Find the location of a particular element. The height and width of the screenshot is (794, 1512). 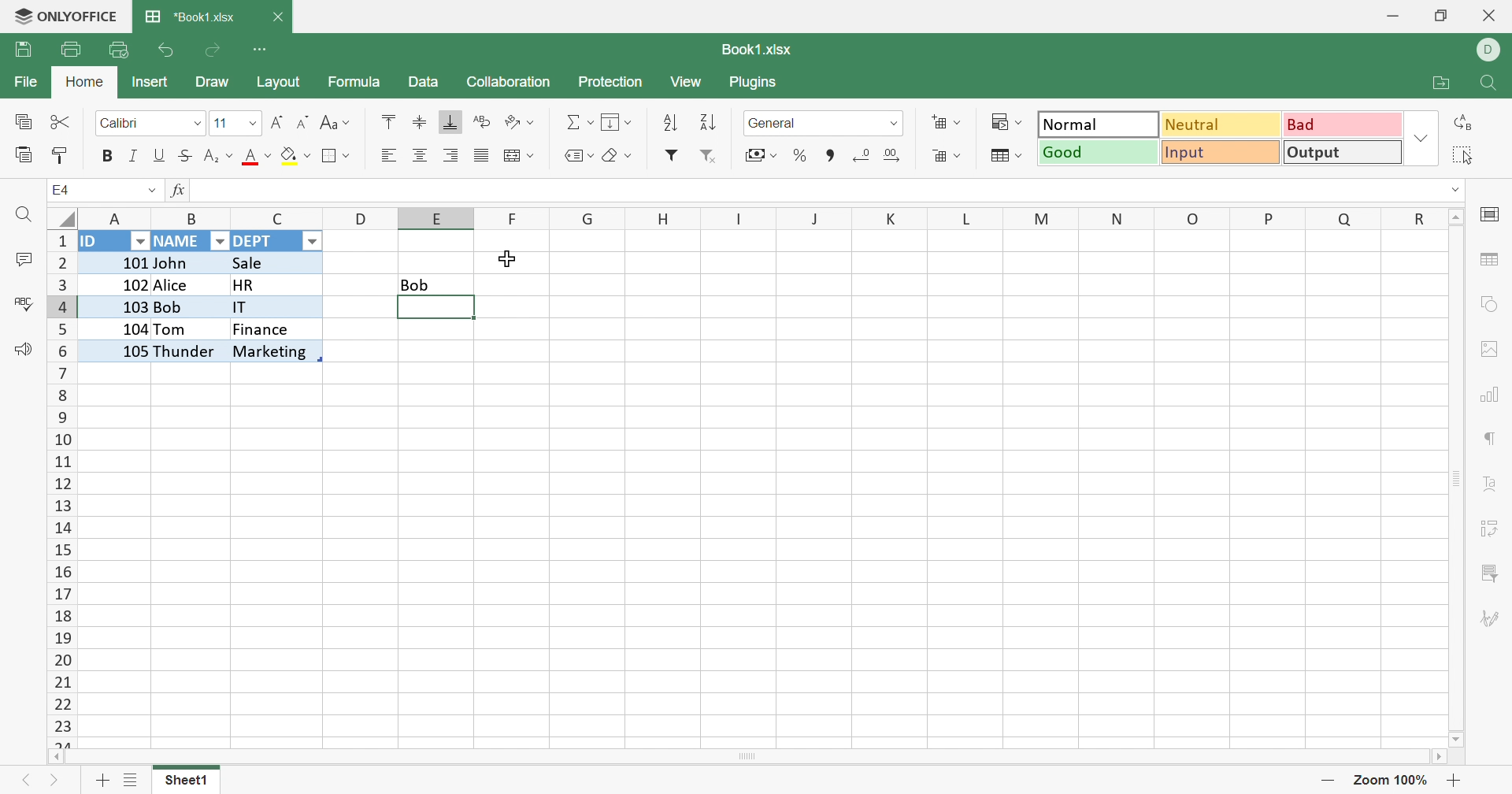

Layout is located at coordinates (285, 83).